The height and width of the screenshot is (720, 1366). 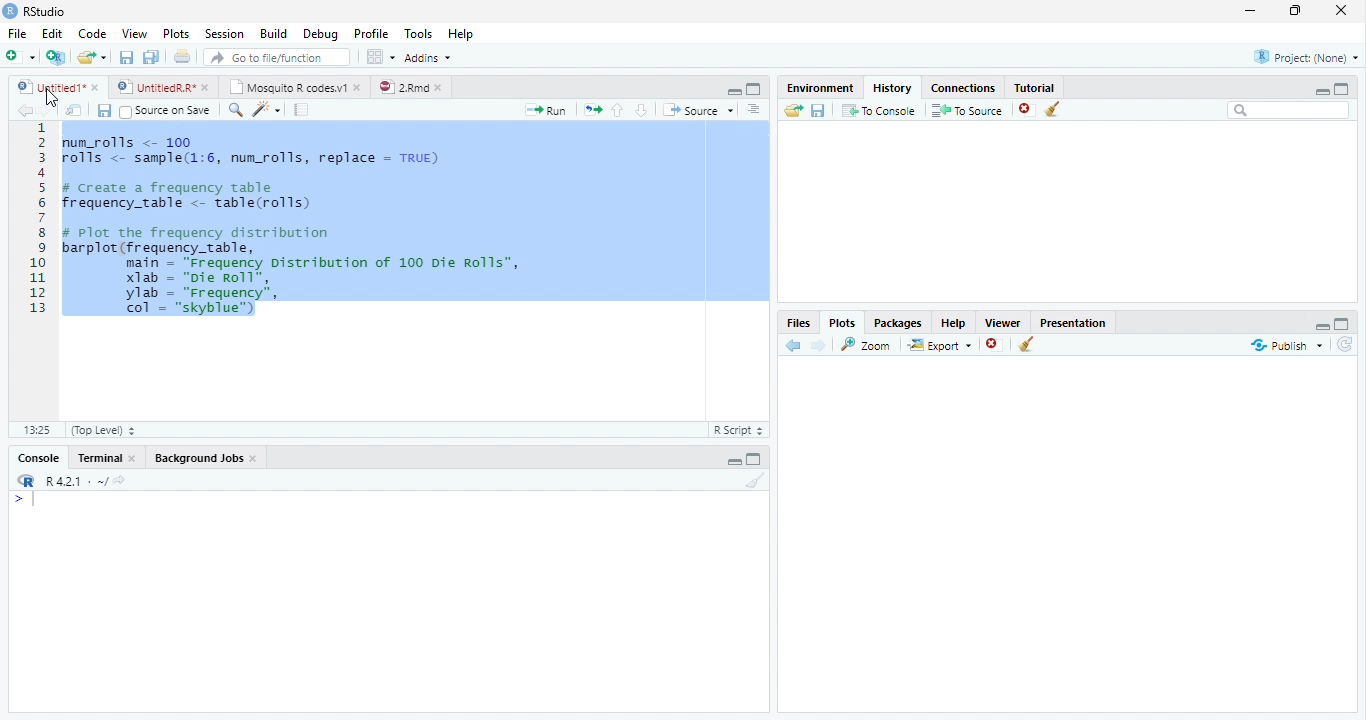 I want to click on Help, so click(x=463, y=33).